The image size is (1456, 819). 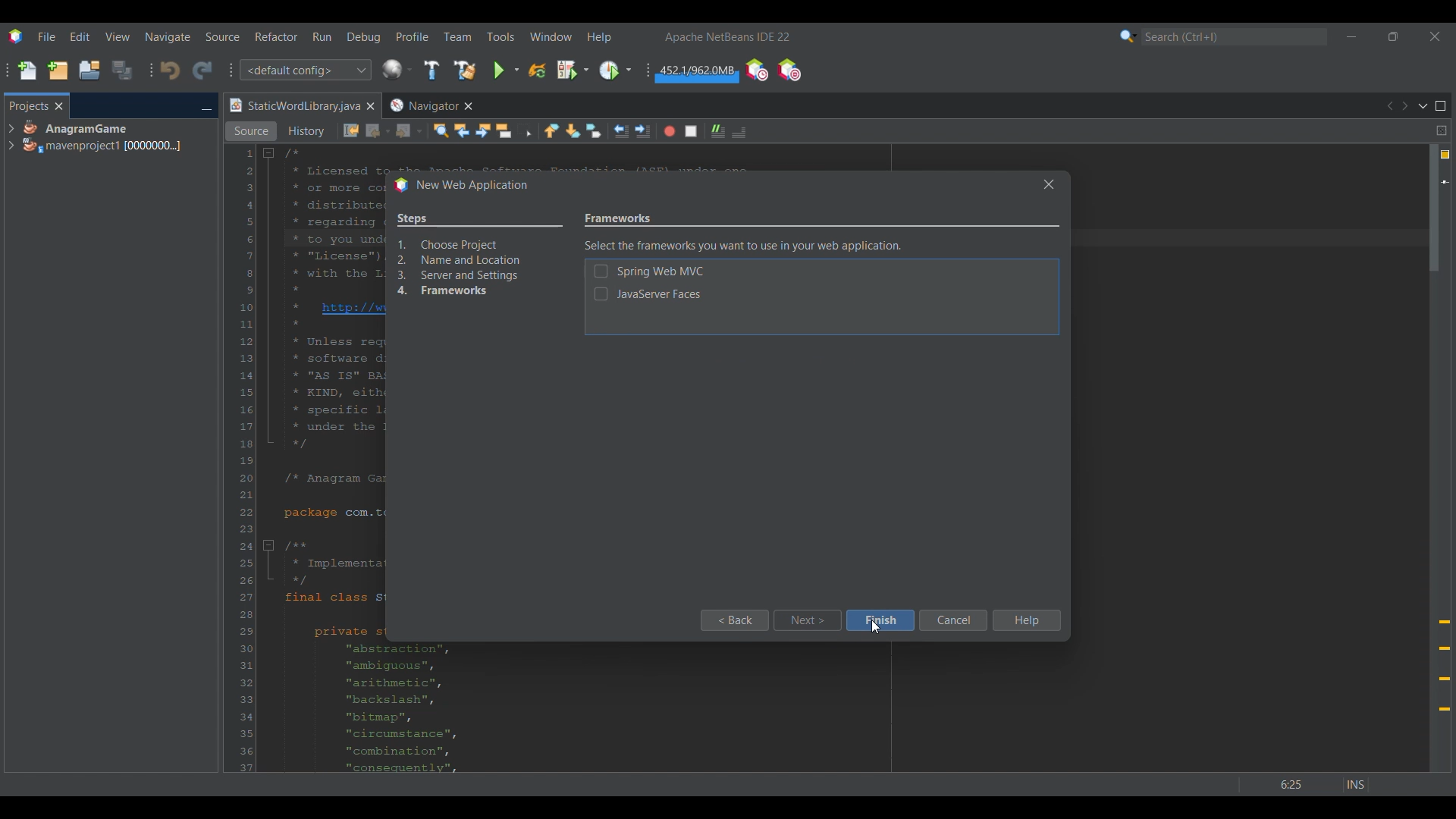 What do you see at coordinates (696, 74) in the screenshot?
I see `Garbage collection changed` at bounding box center [696, 74].